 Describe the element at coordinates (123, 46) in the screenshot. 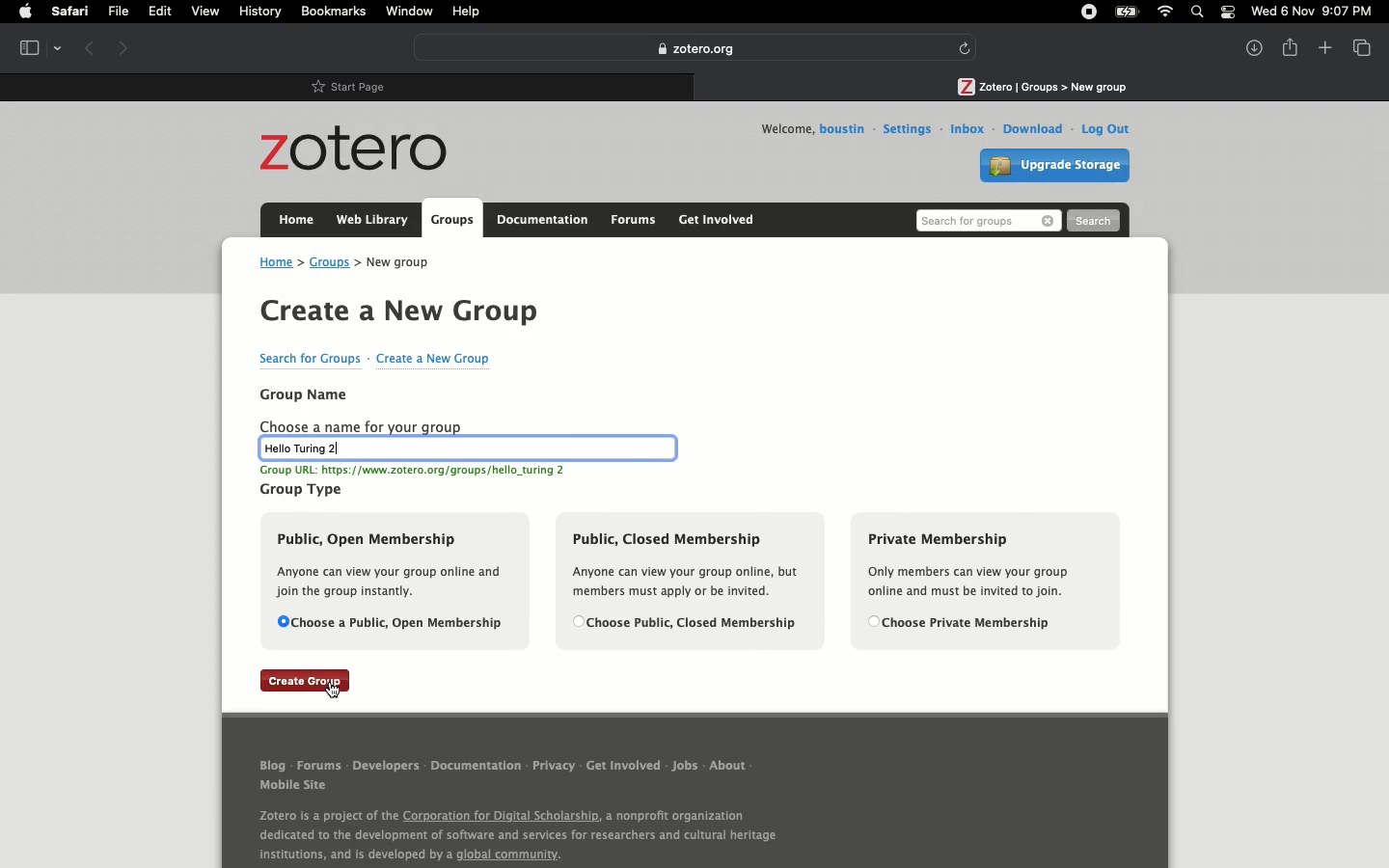

I see `Forward` at that location.